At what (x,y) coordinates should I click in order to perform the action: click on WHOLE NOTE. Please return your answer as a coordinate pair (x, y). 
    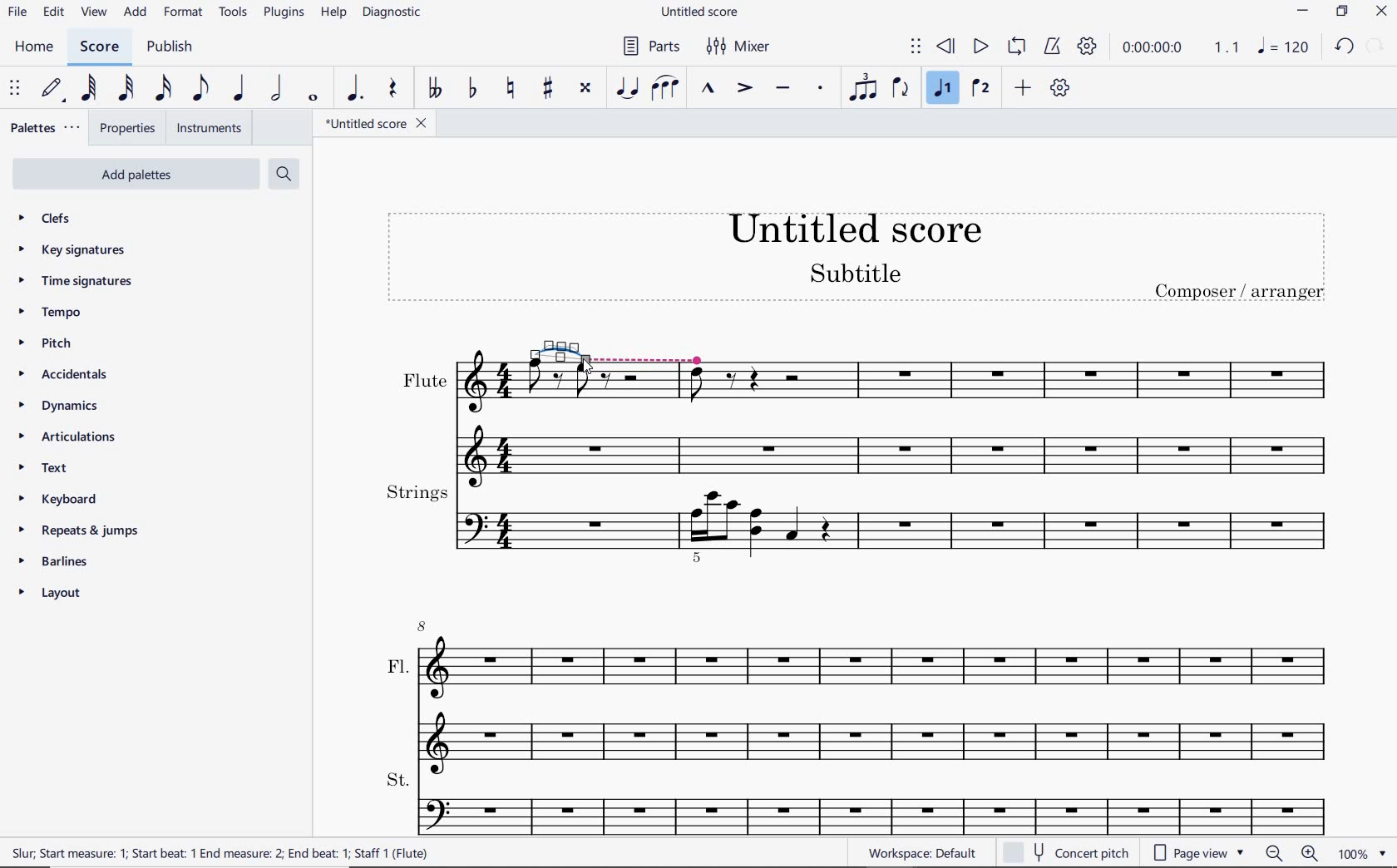
    Looking at the image, I should click on (314, 100).